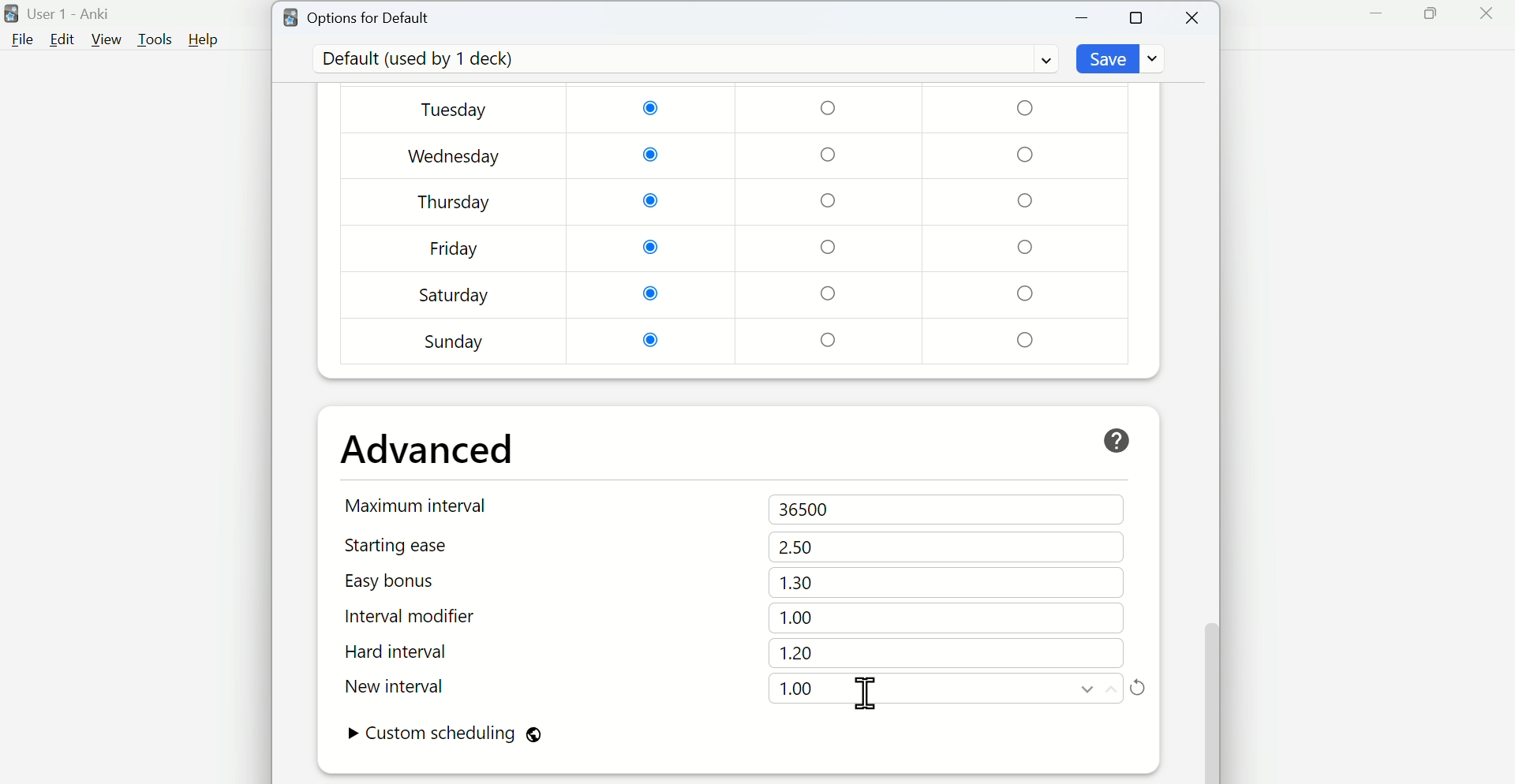 This screenshot has height=784, width=1515. What do you see at coordinates (444, 735) in the screenshot?
I see `Custom scheduling` at bounding box center [444, 735].